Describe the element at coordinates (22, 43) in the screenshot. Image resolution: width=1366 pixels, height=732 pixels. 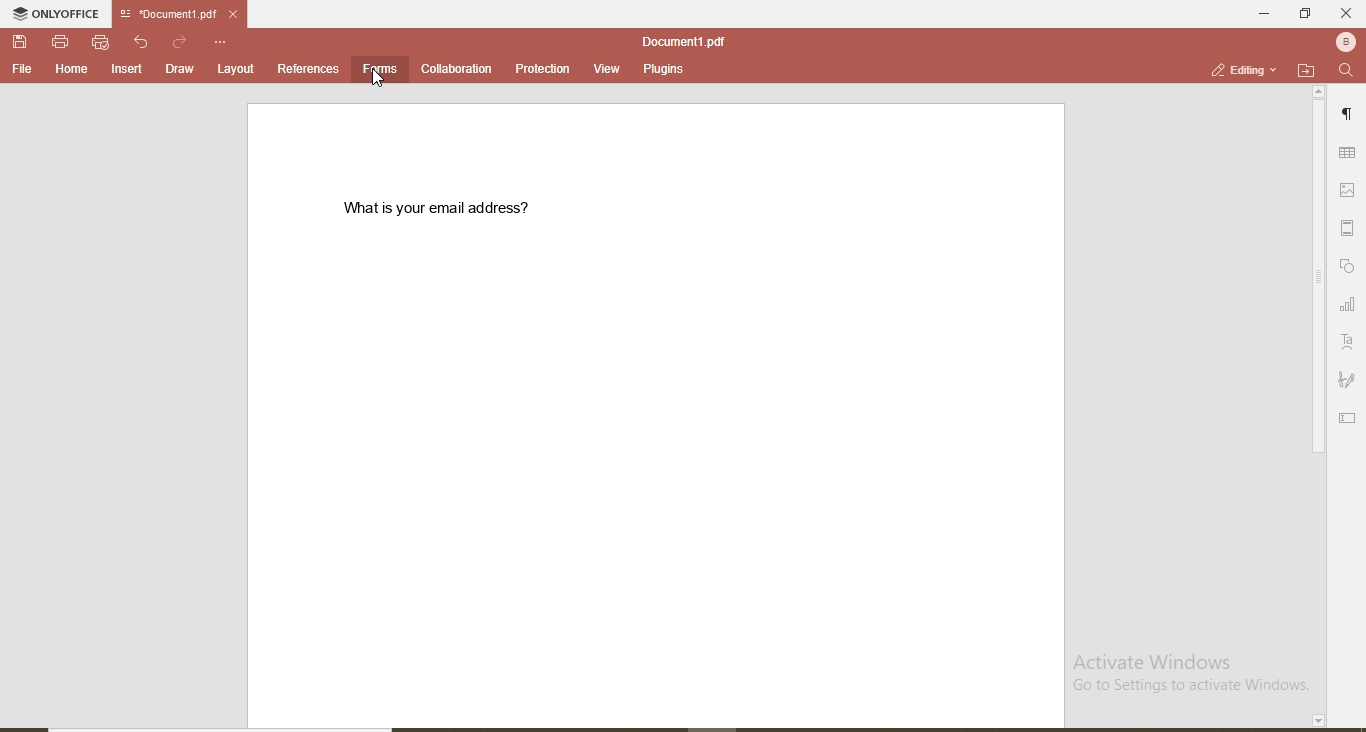
I see `save` at that location.